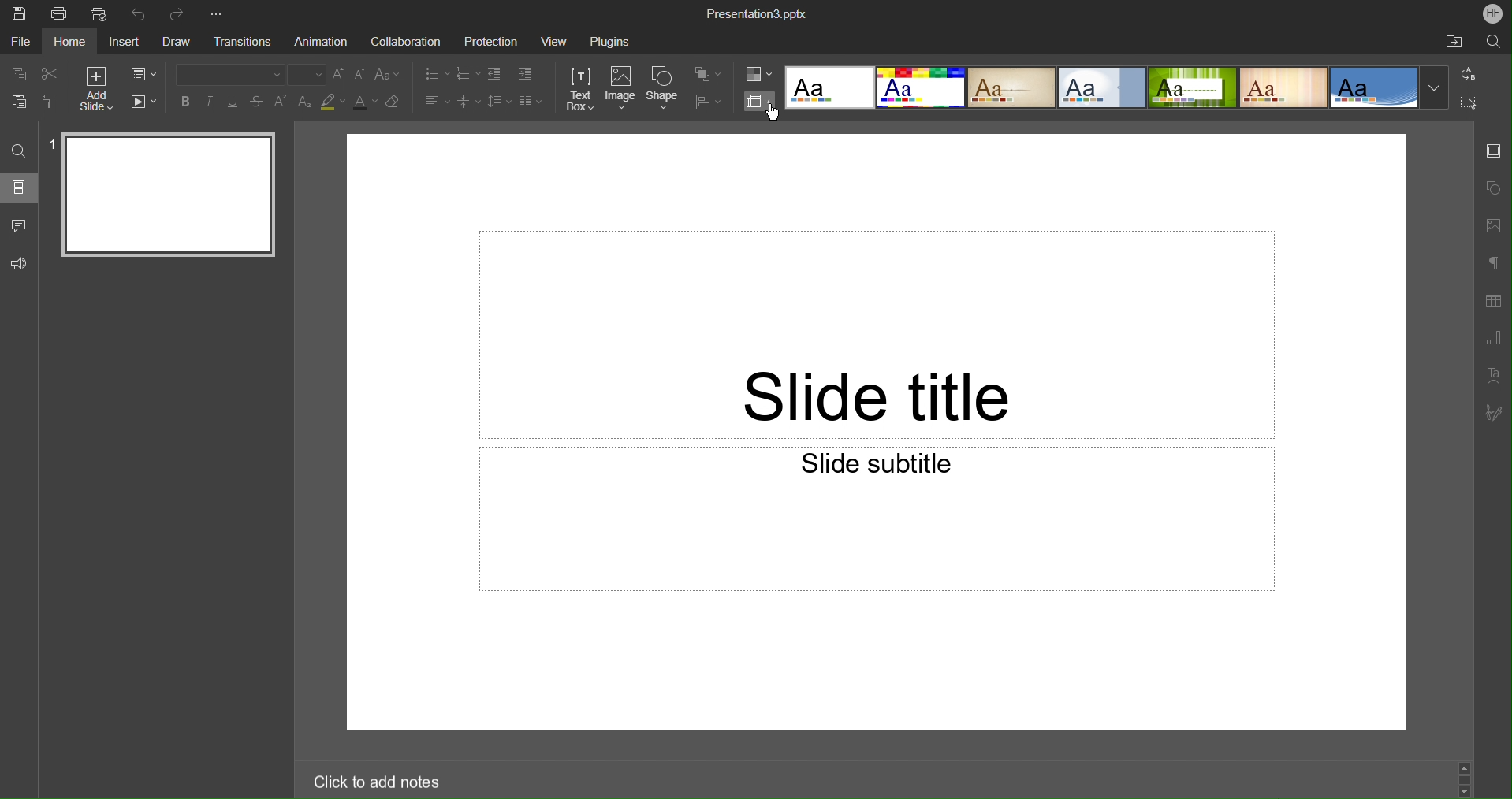 This screenshot has height=799, width=1512. Describe the element at coordinates (100, 15) in the screenshot. I see `Quick Print` at that location.